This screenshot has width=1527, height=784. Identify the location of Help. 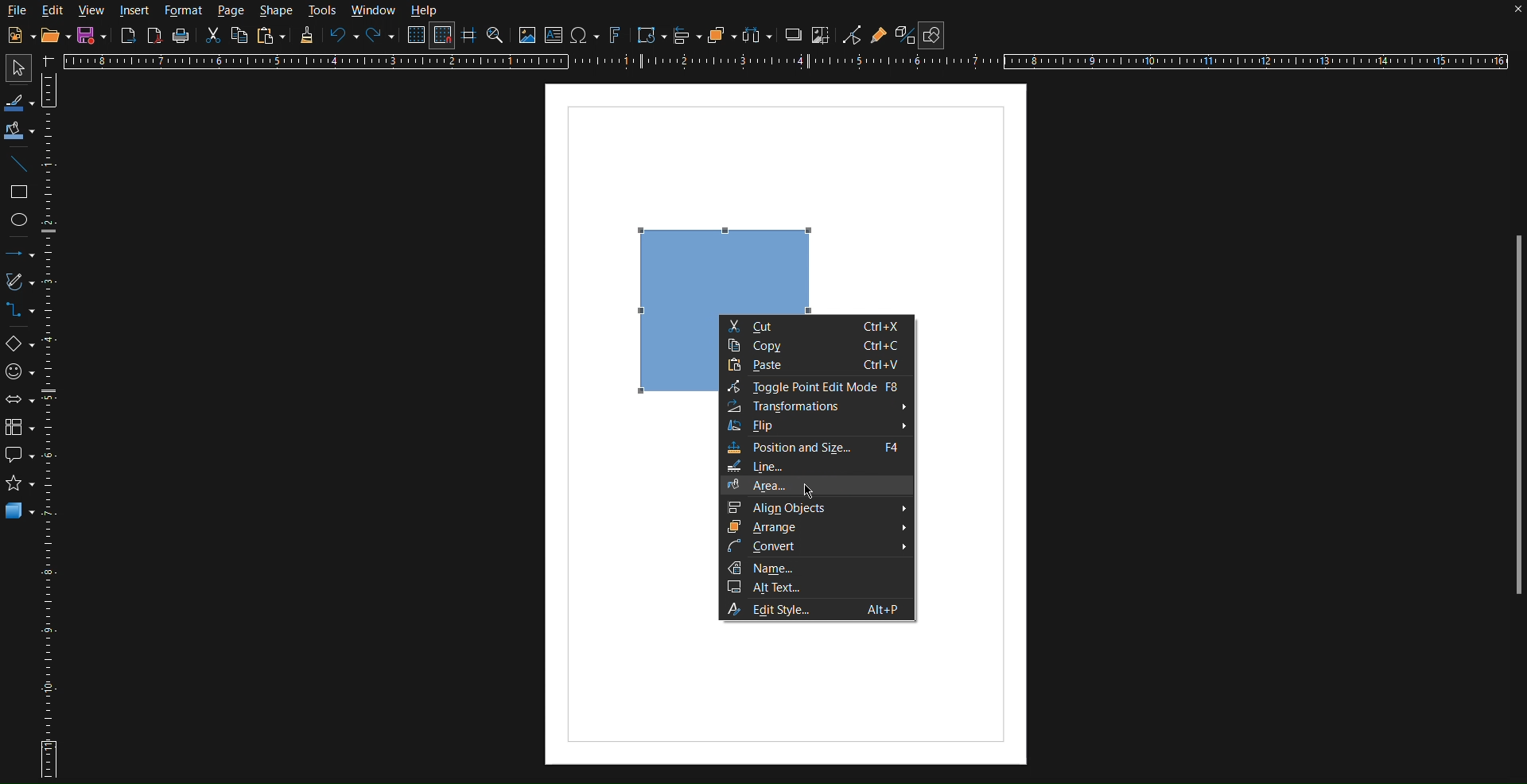
(425, 11).